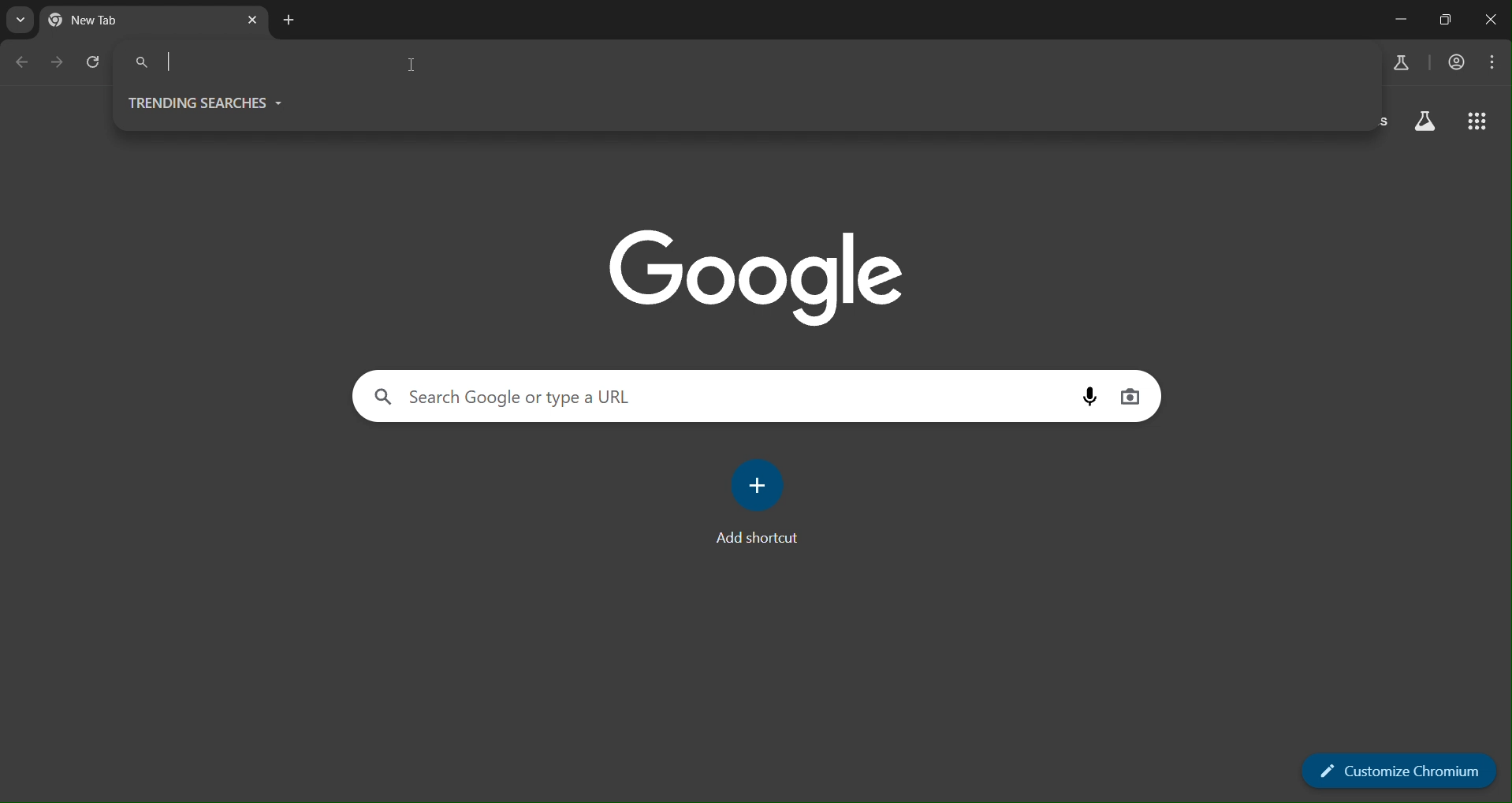 The width and height of the screenshot is (1512, 803). What do you see at coordinates (22, 62) in the screenshot?
I see `go back one page` at bounding box center [22, 62].